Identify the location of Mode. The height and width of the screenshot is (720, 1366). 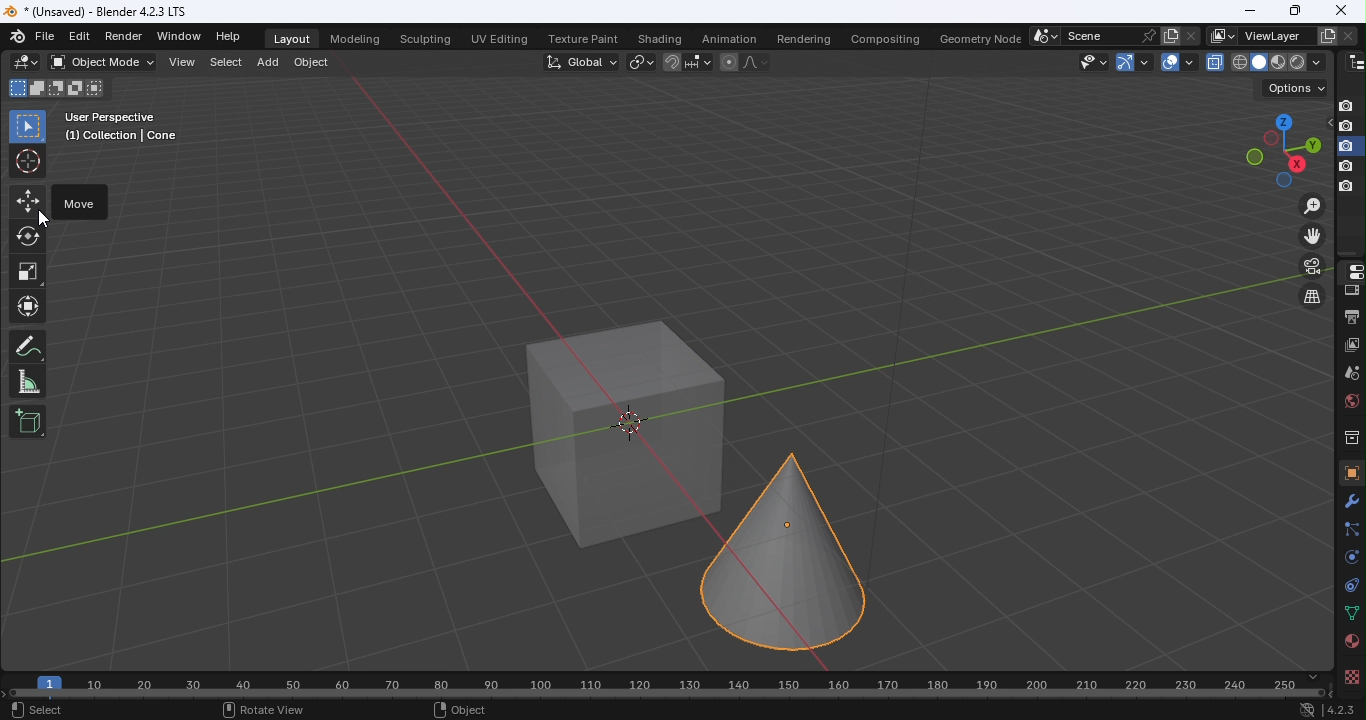
(16, 88).